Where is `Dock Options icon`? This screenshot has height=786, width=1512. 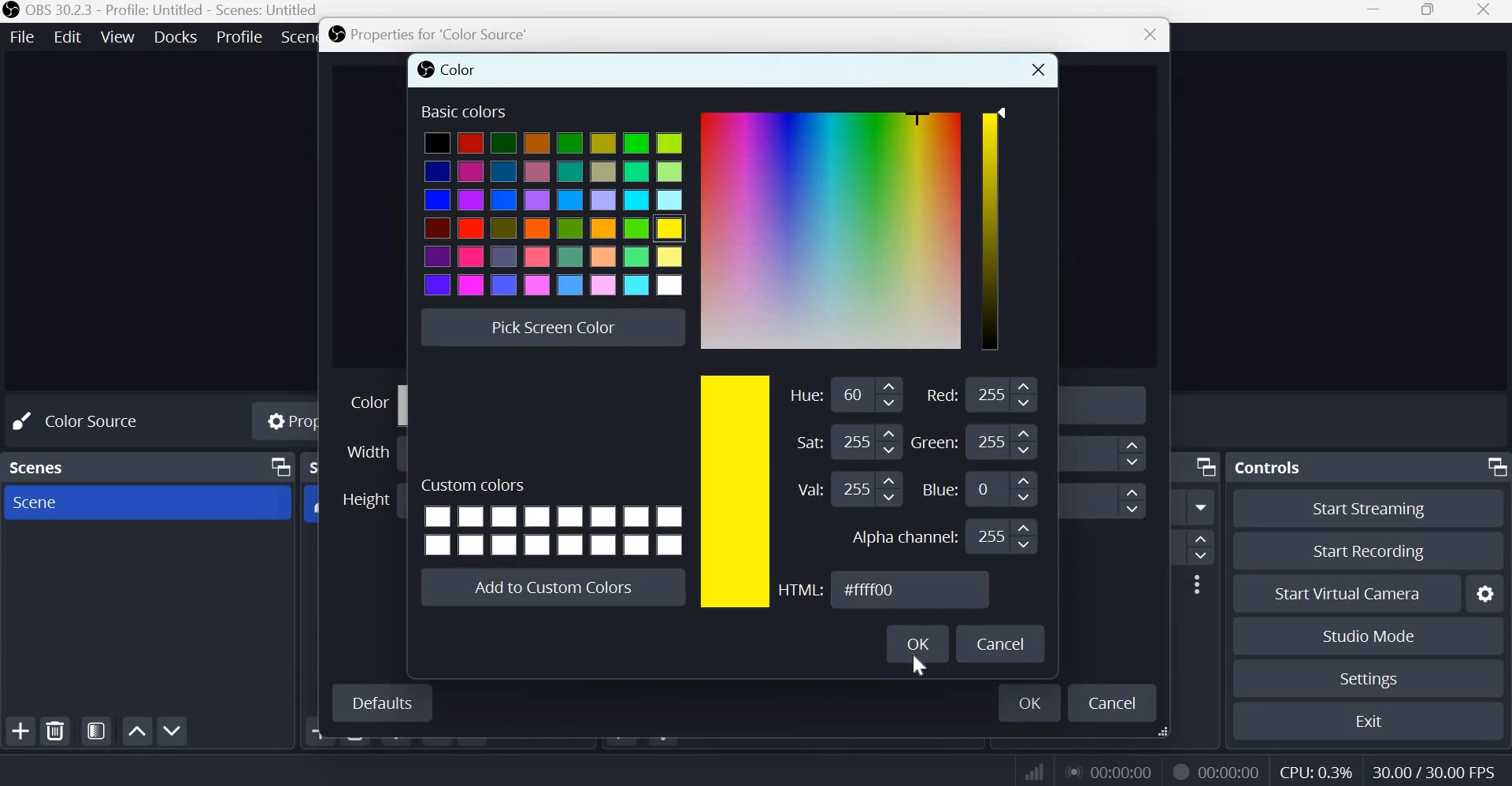
Dock Options icon is located at coordinates (1202, 466).